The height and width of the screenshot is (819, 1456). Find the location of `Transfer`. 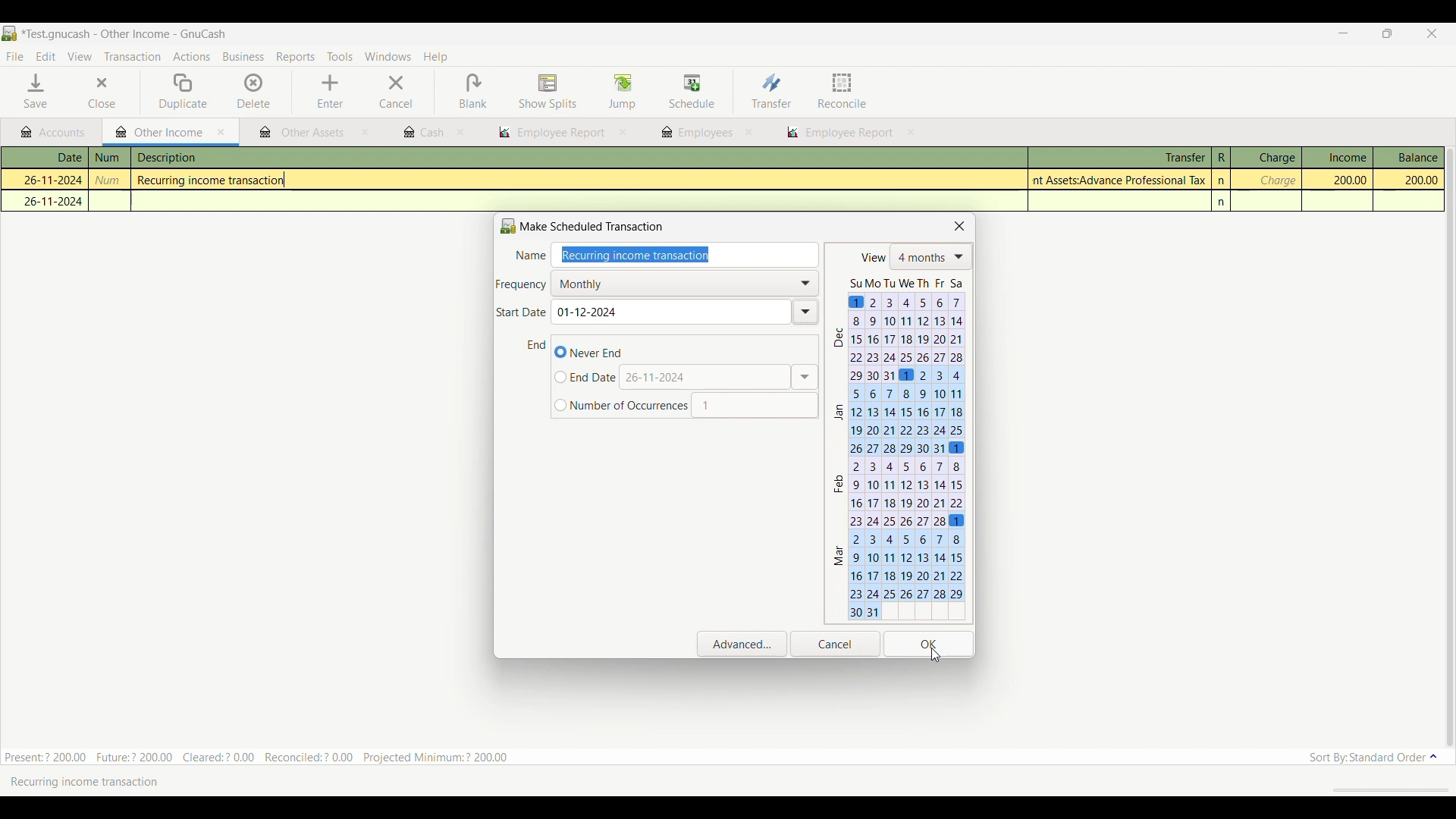

Transfer is located at coordinates (771, 90).